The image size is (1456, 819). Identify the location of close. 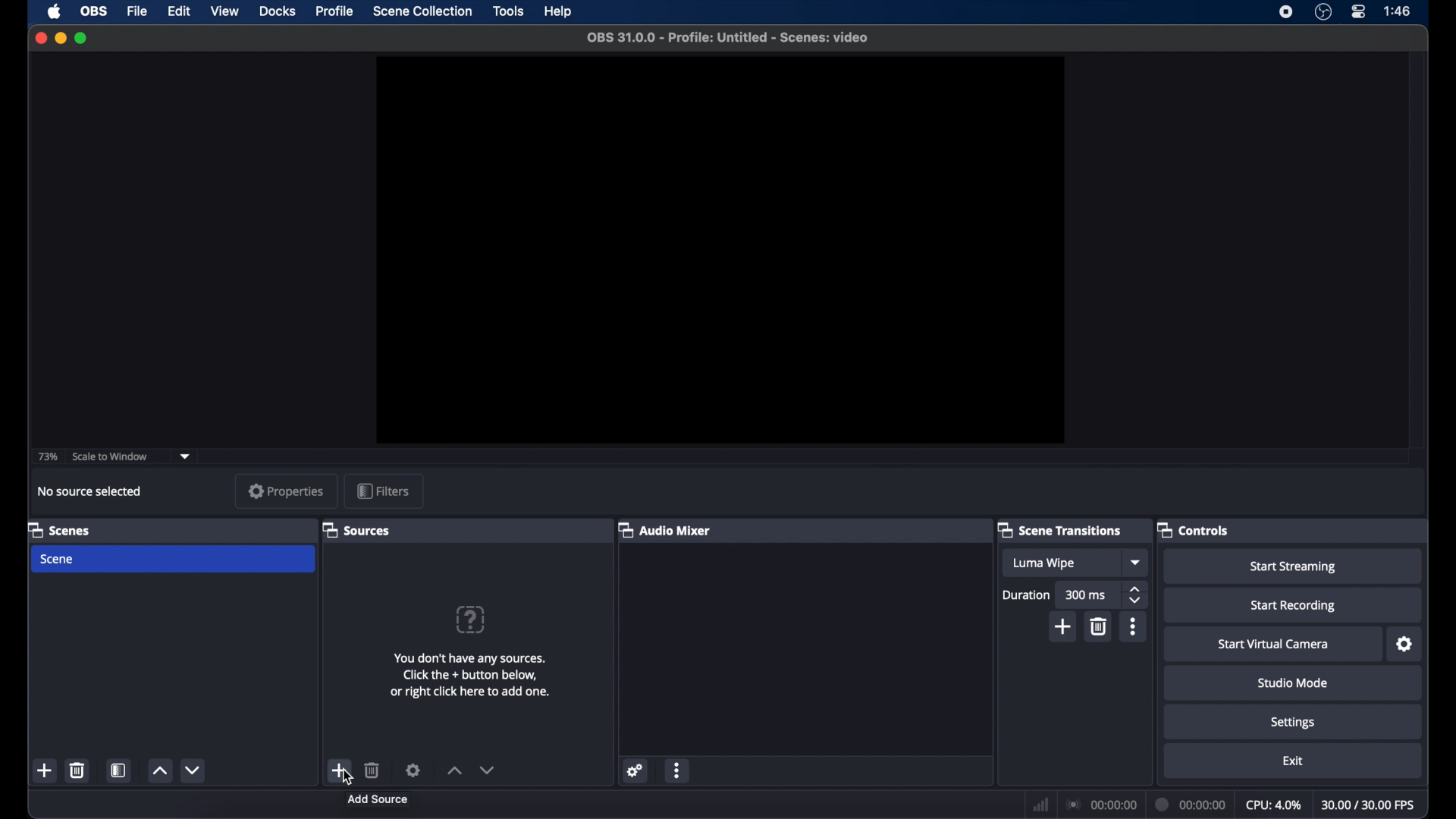
(41, 39).